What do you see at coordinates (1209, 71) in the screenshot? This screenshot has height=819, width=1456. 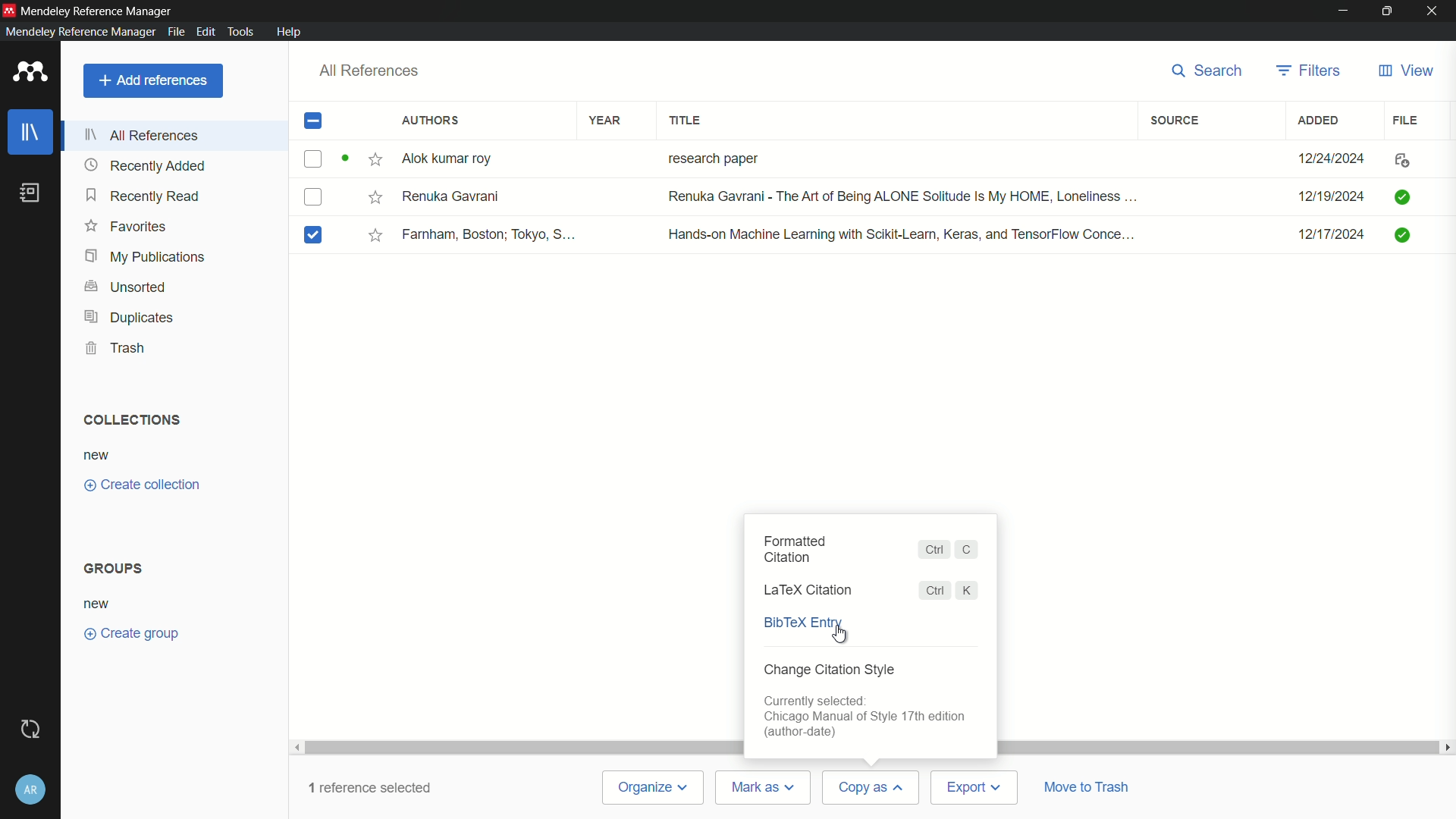 I see `search` at bounding box center [1209, 71].